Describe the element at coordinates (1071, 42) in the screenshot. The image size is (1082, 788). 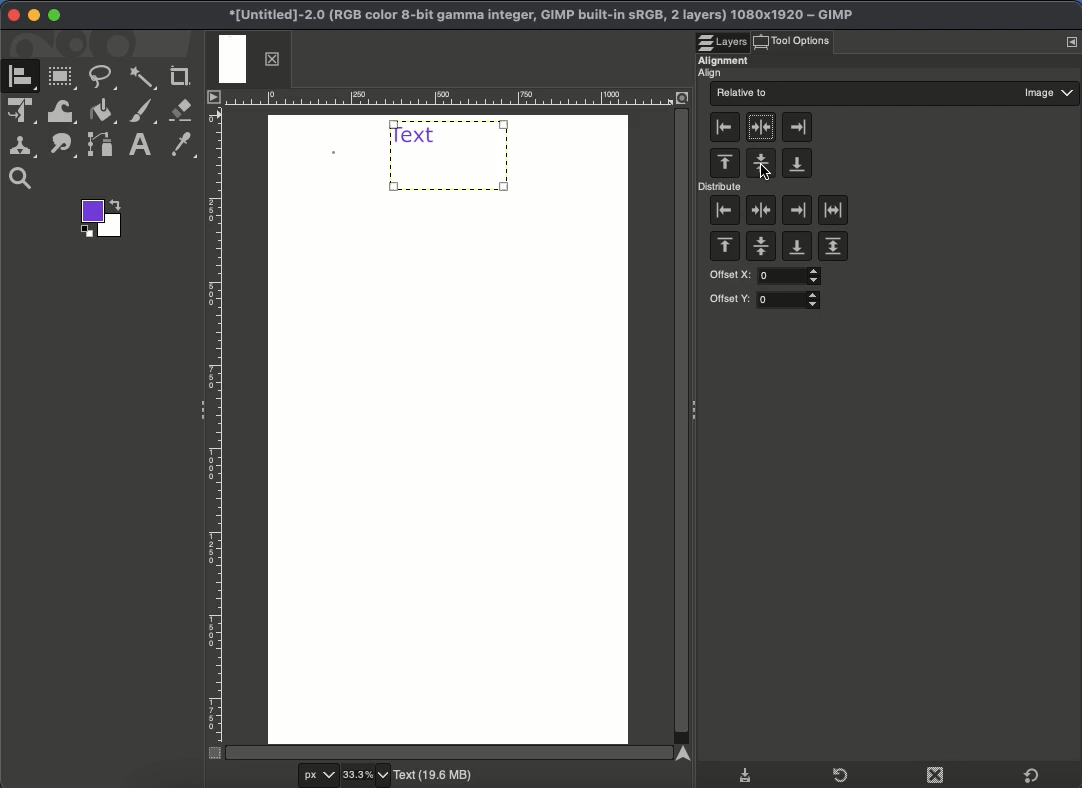
I see `Menu` at that location.